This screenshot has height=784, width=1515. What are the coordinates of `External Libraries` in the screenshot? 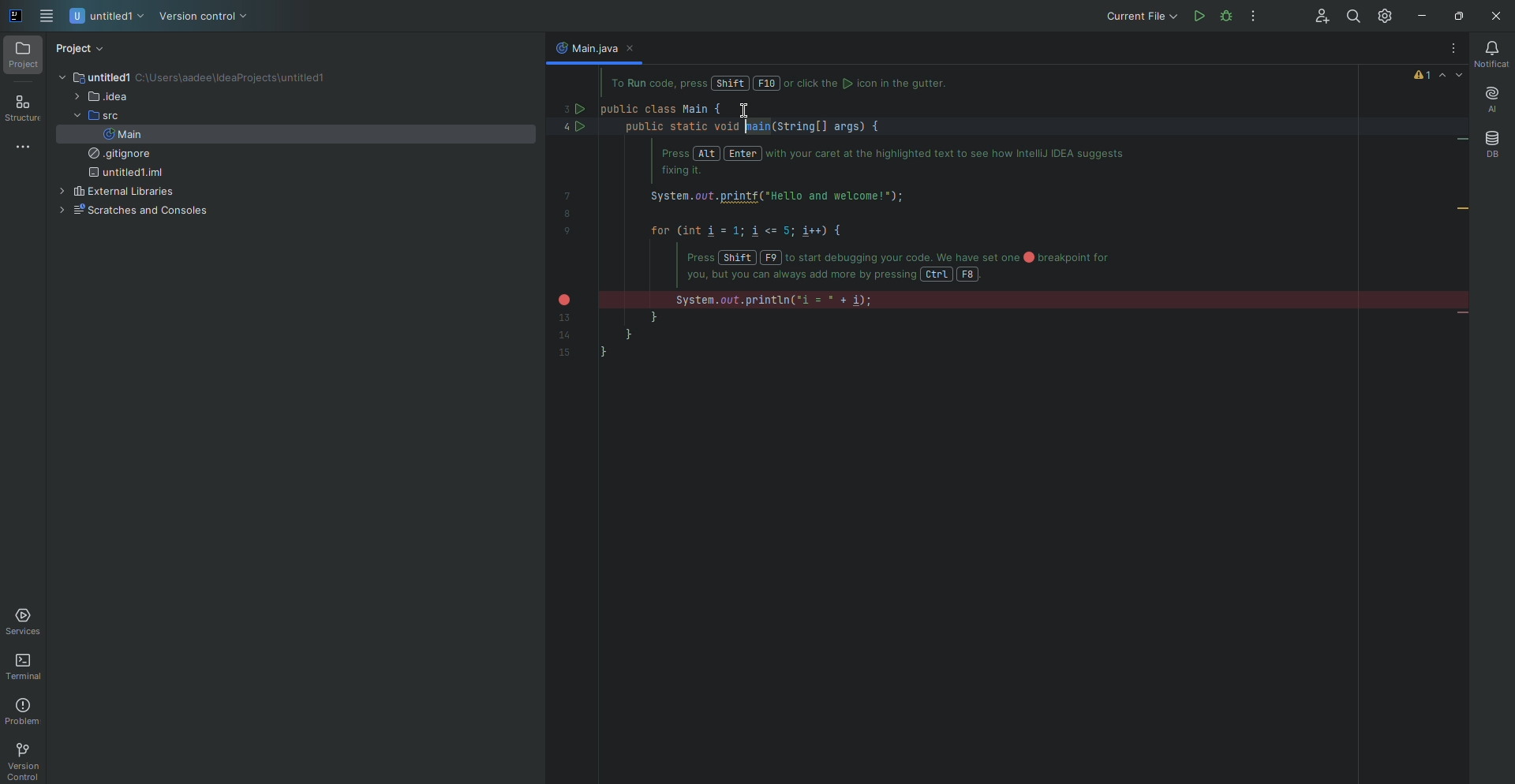 It's located at (114, 192).